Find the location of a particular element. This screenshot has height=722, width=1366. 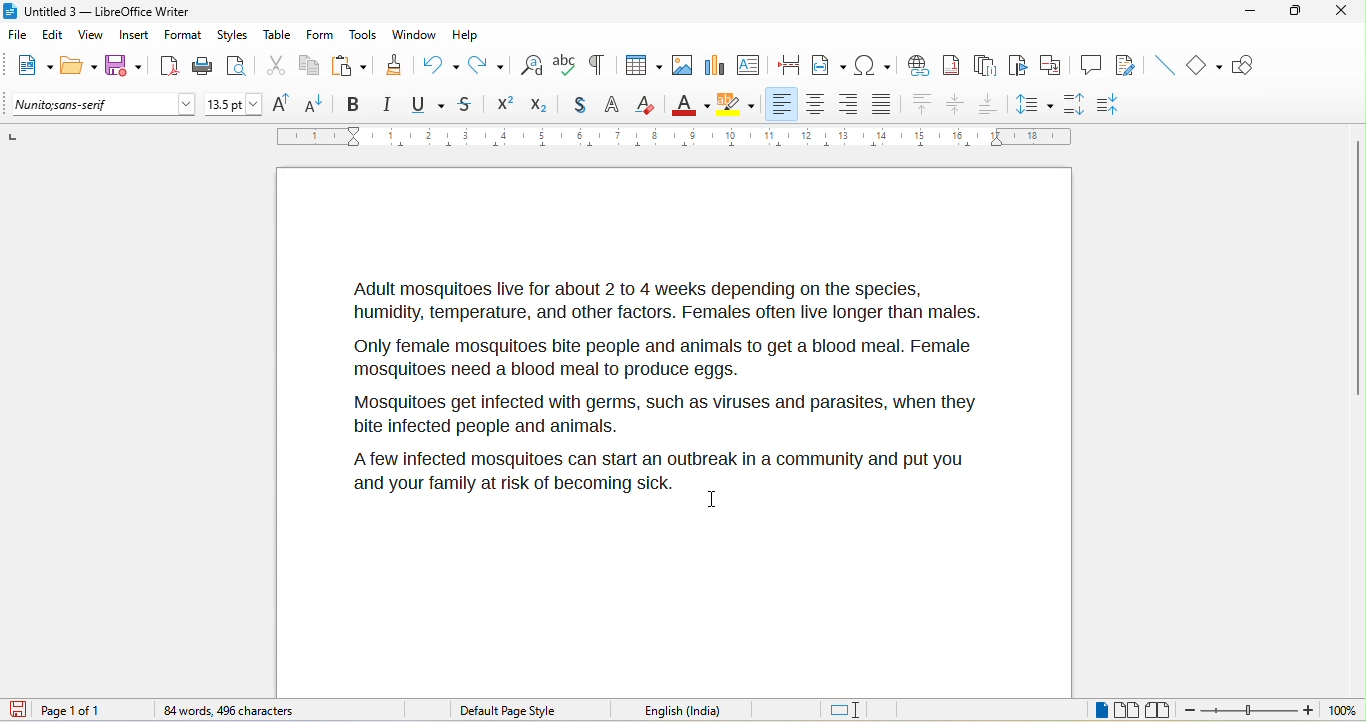

font color is located at coordinates (691, 103).